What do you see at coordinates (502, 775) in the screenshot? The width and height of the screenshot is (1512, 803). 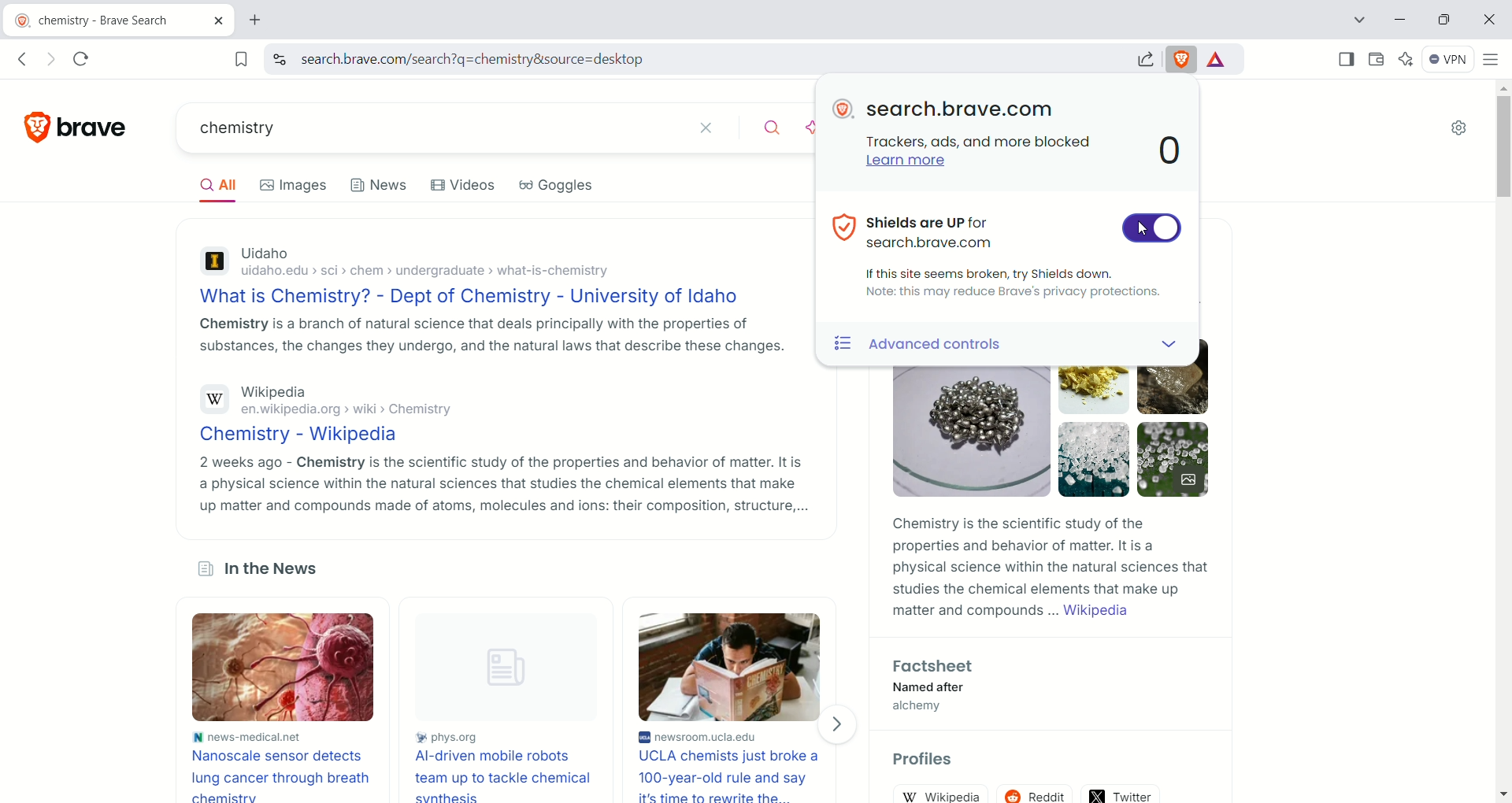 I see `AI-Driven mobile robots team up to tackle chemical synthesis` at bounding box center [502, 775].